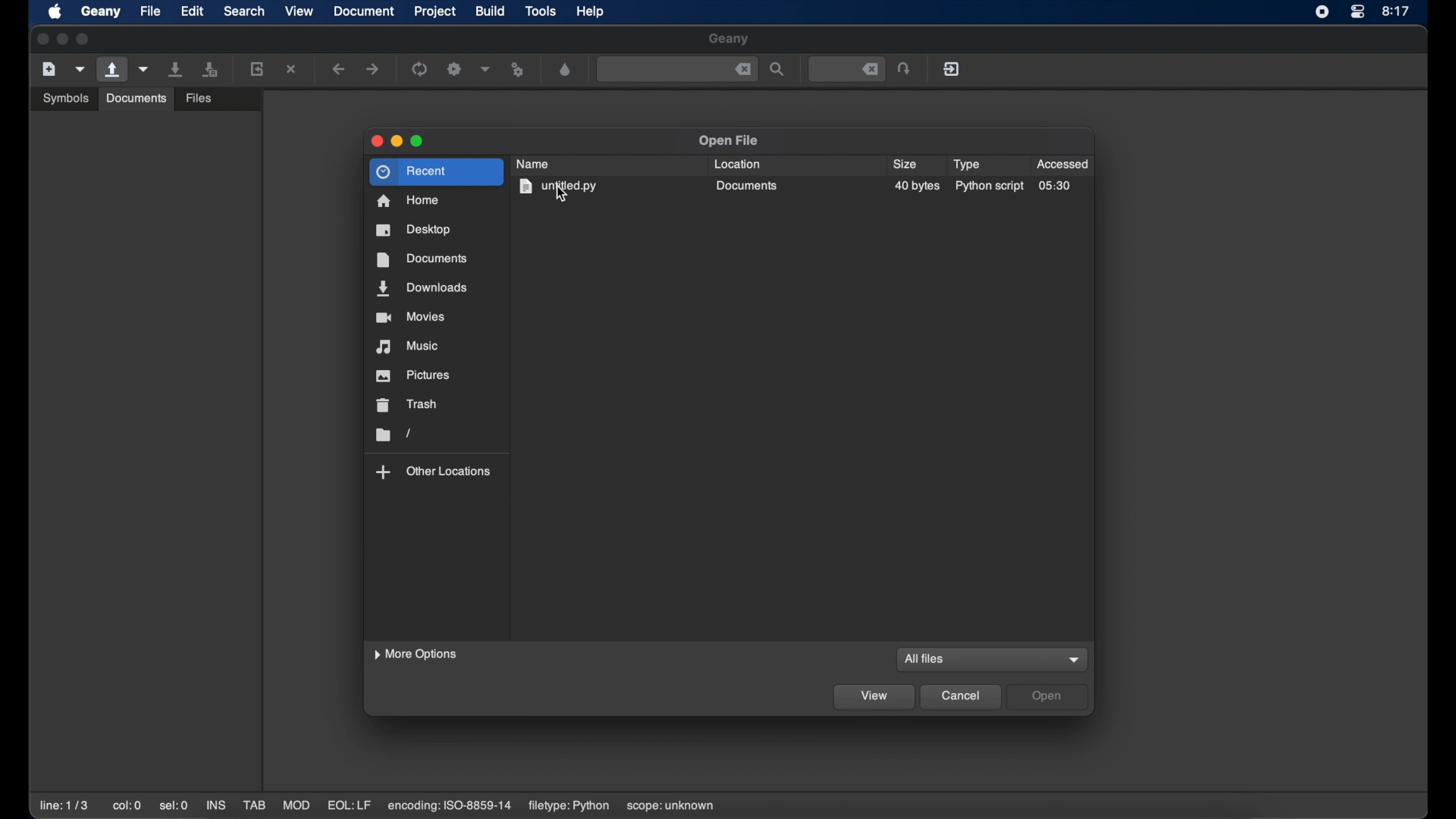  I want to click on mod, so click(297, 805).